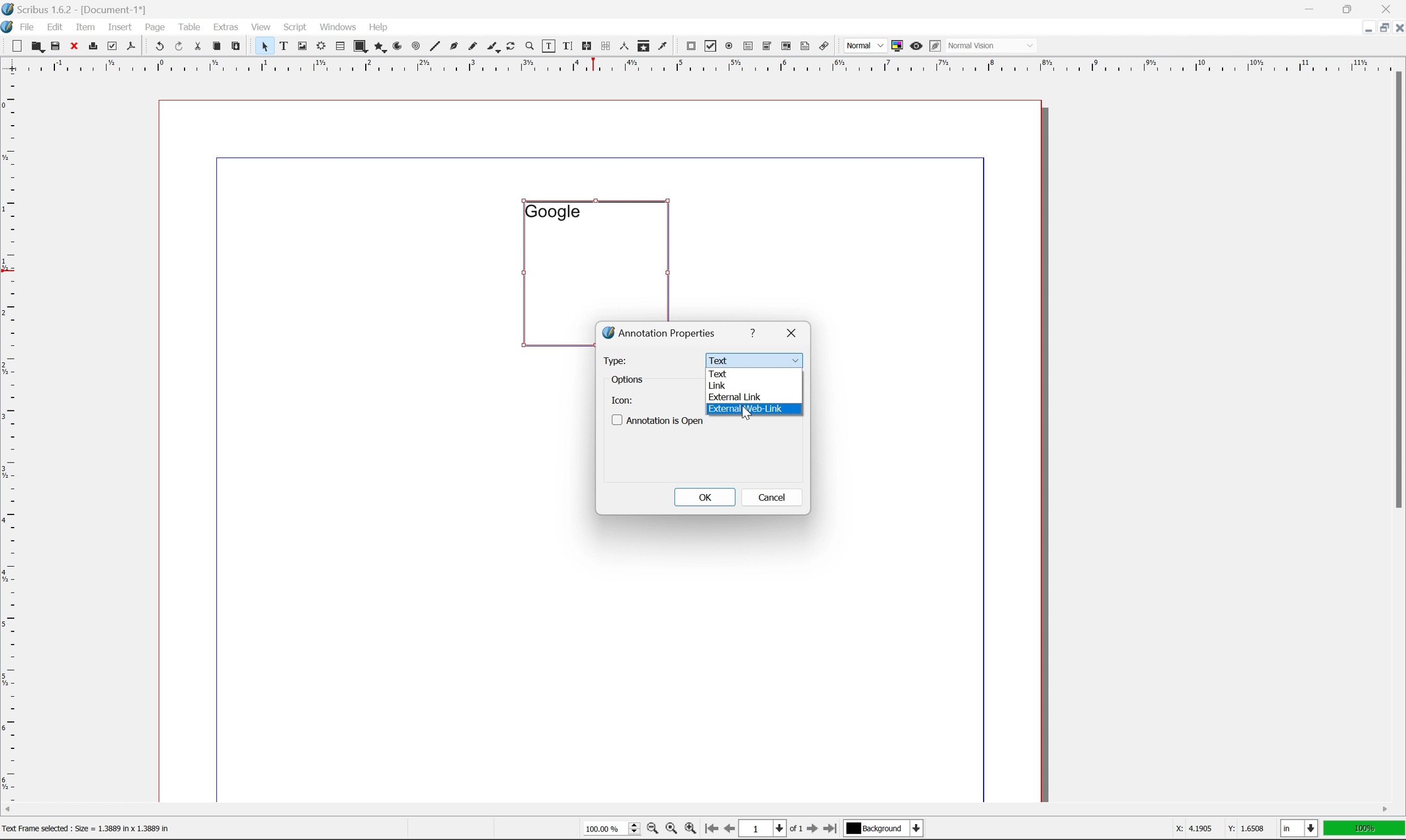 The width and height of the screenshot is (1406, 840). What do you see at coordinates (805, 46) in the screenshot?
I see `text annotation` at bounding box center [805, 46].